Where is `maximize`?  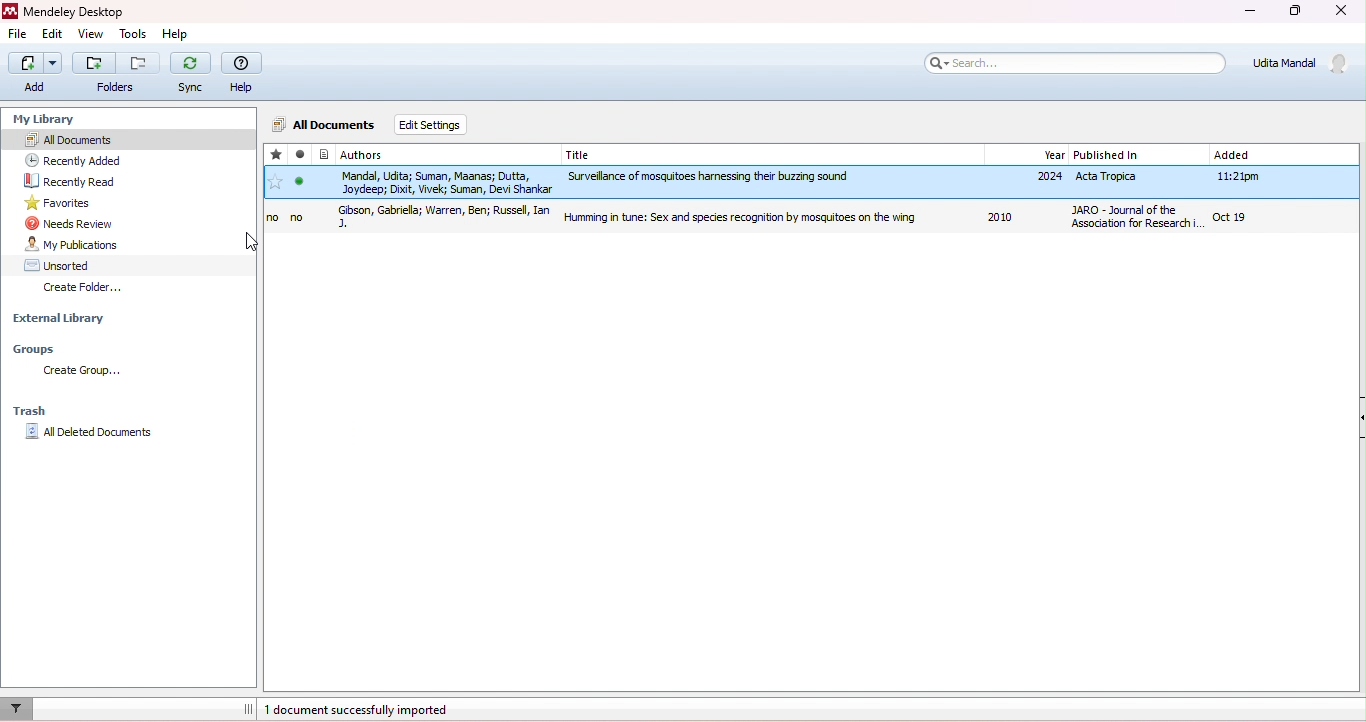 maximize is located at coordinates (1295, 12).